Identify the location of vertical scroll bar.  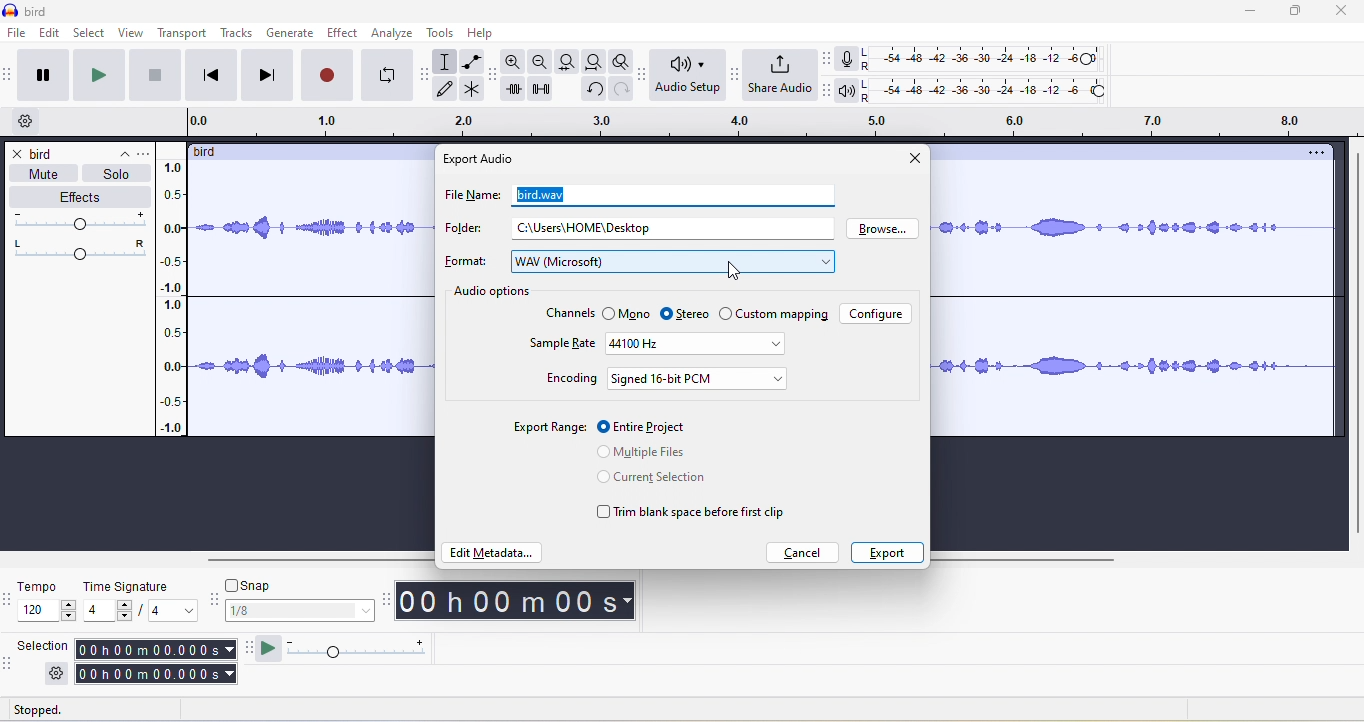
(1352, 344).